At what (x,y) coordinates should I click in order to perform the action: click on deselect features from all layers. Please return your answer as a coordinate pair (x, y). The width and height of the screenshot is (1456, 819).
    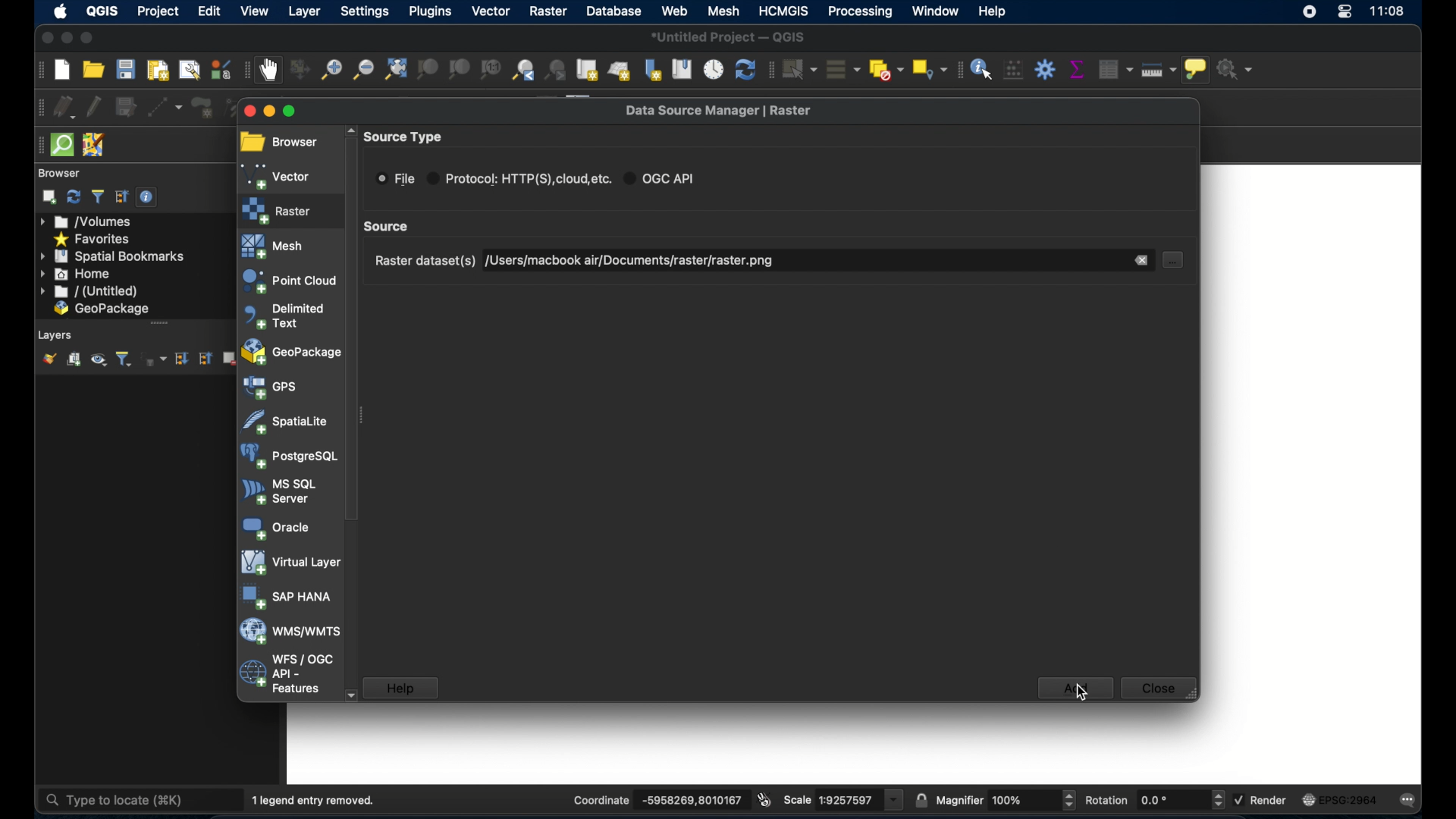
    Looking at the image, I should click on (884, 69).